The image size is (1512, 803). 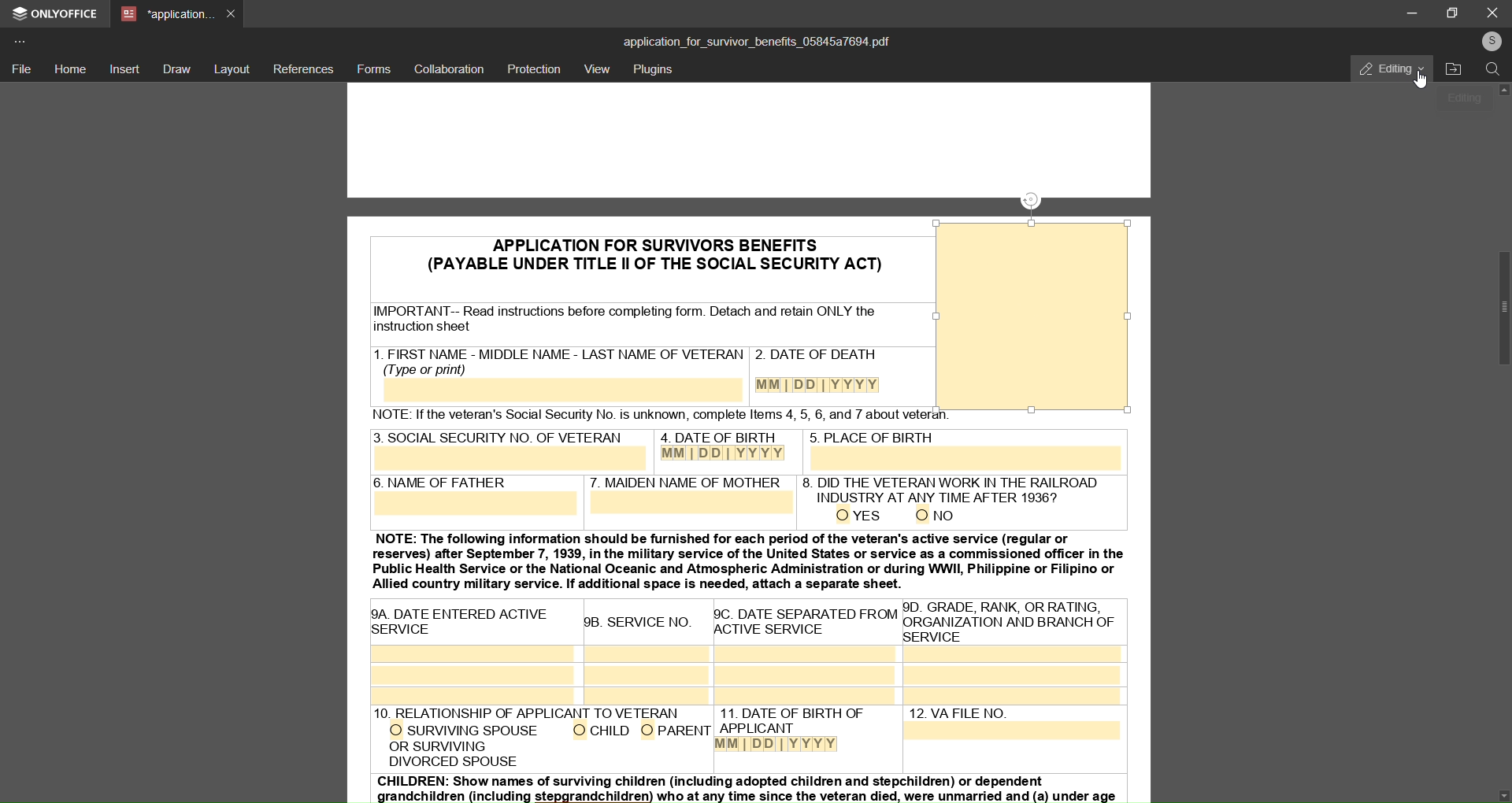 What do you see at coordinates (1455, 12) in the screenshot?
I see `maximize` at bounding box center [1455, 12].